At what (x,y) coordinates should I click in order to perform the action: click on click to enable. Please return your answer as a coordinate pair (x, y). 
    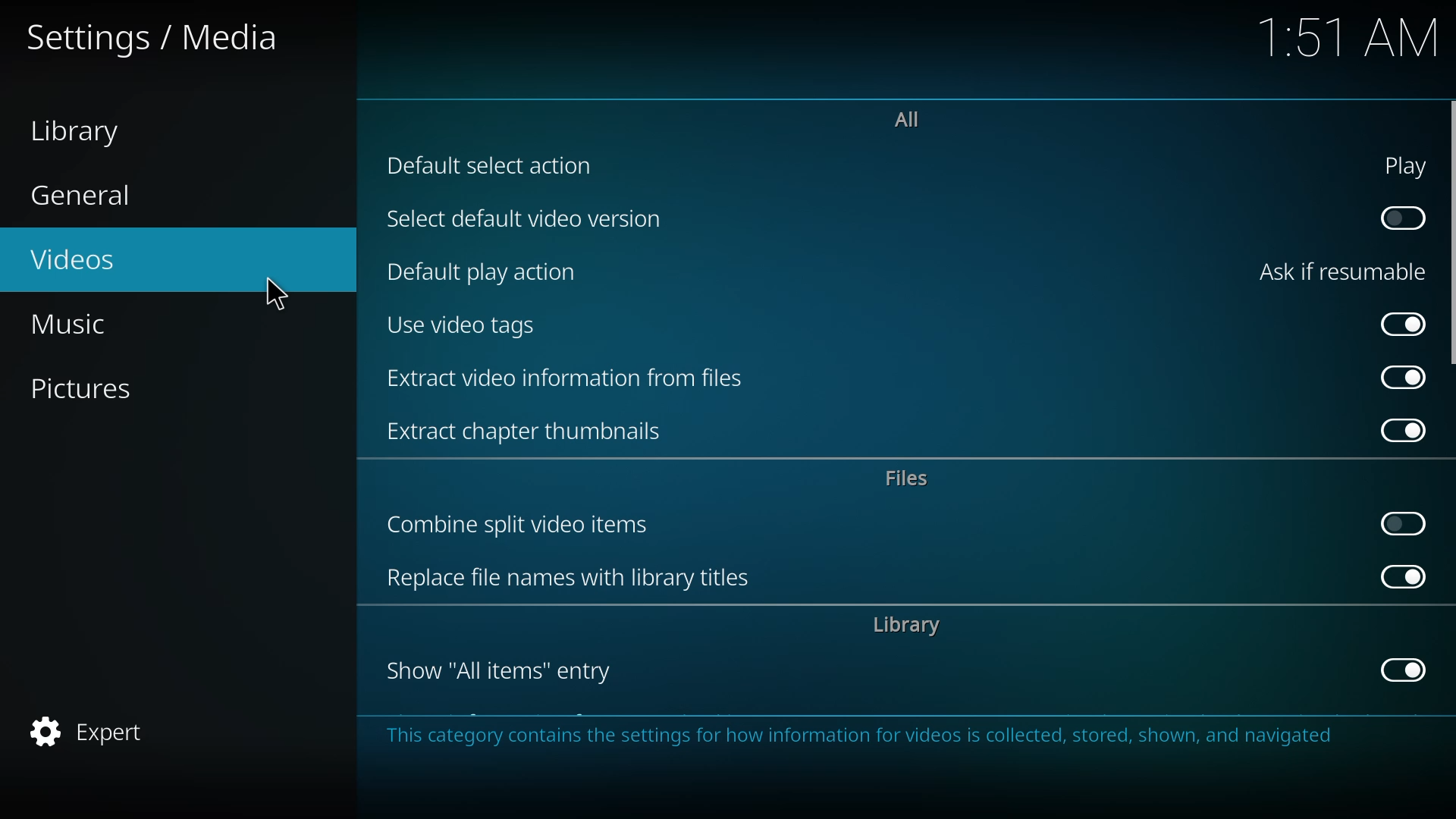
    Looking at the image, I should click on (1398, 522).